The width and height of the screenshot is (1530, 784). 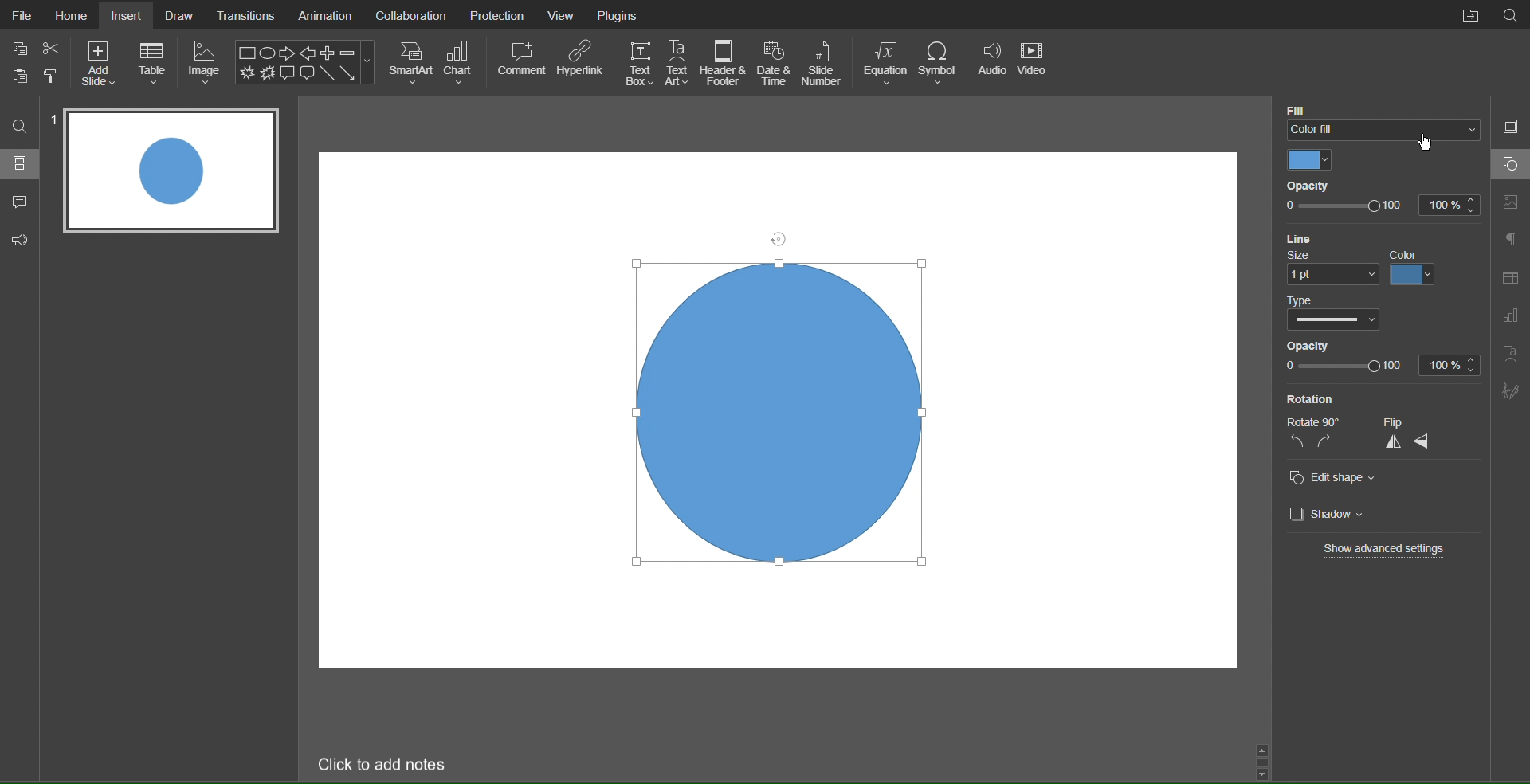 I want to click on flip sideways, so click(x=1434, y=445).